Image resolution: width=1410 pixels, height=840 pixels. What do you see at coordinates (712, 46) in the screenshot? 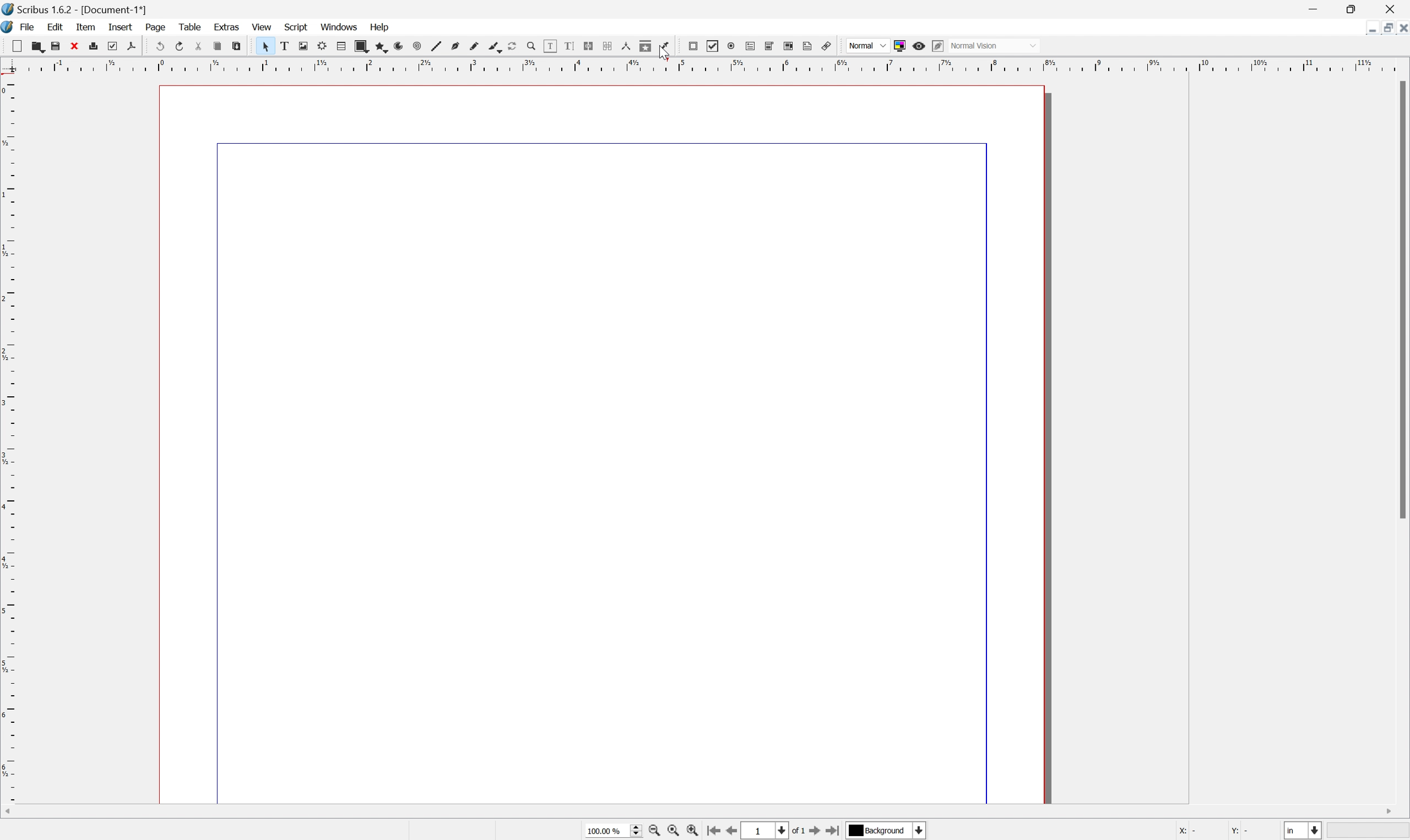
I see `PDF checkbox` at bounding box center [712, 46].